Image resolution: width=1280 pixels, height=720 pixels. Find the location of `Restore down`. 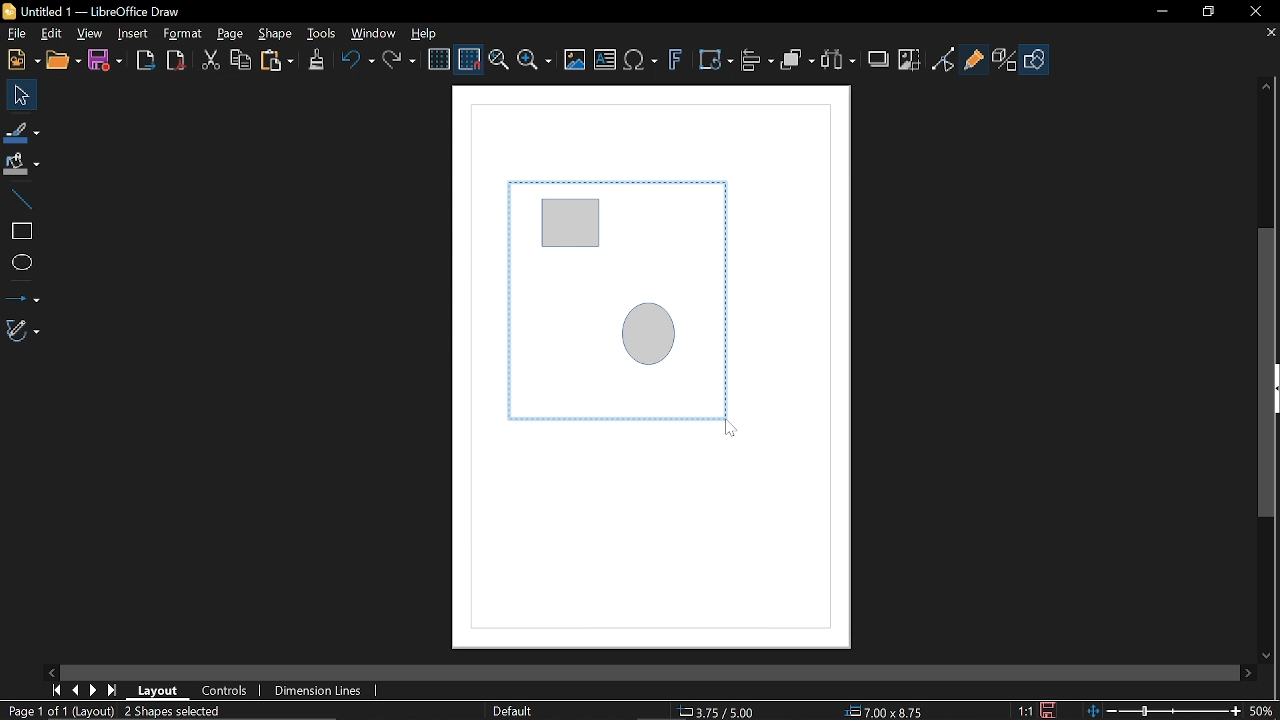

Restore down is located at coordinates (1206, 11).